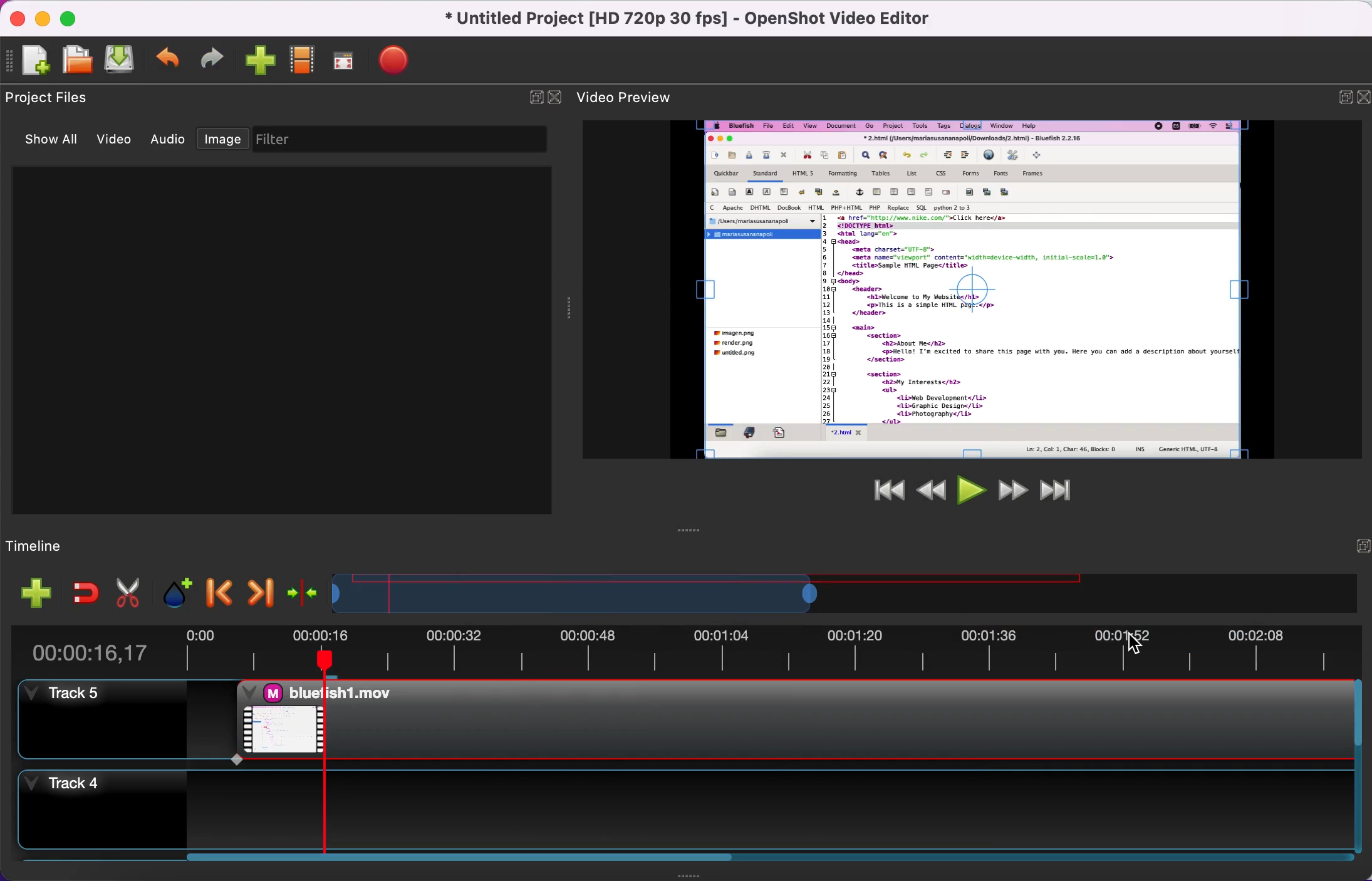 The width and height of the screenshot is (1372, 881). Describe the element at coordinates (1009, 489) in the screenshot. I see `fast forward` at that location.